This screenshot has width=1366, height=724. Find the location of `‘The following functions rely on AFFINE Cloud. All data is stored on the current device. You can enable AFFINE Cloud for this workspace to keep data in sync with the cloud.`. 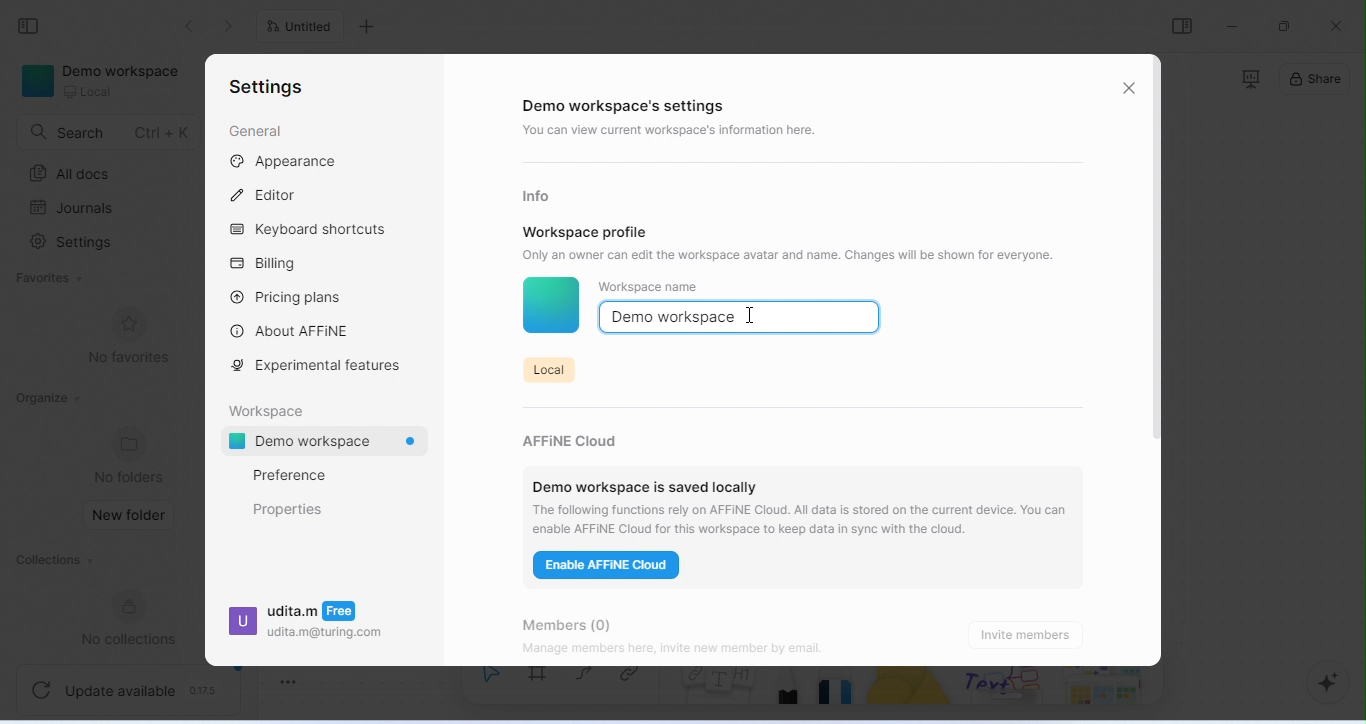

‘The following functions rely on AFFINE Cloud. All data is stored on the current device. You can enable AFFINE Cloud for this workspace to keep data in sync with the cloud. is located at coordinates (804, 519).